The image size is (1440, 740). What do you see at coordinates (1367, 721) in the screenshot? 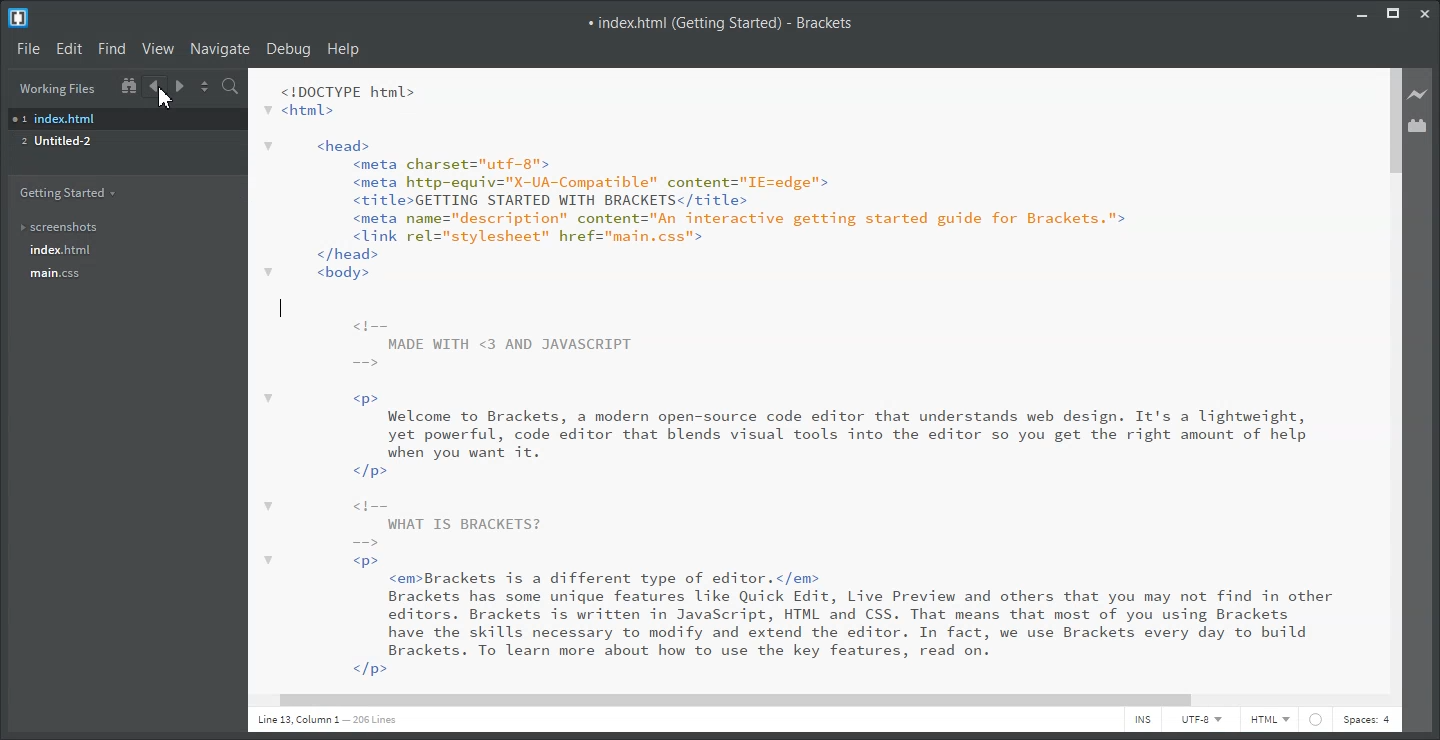
I see `Spaces` at bounding box center [1367, 721].